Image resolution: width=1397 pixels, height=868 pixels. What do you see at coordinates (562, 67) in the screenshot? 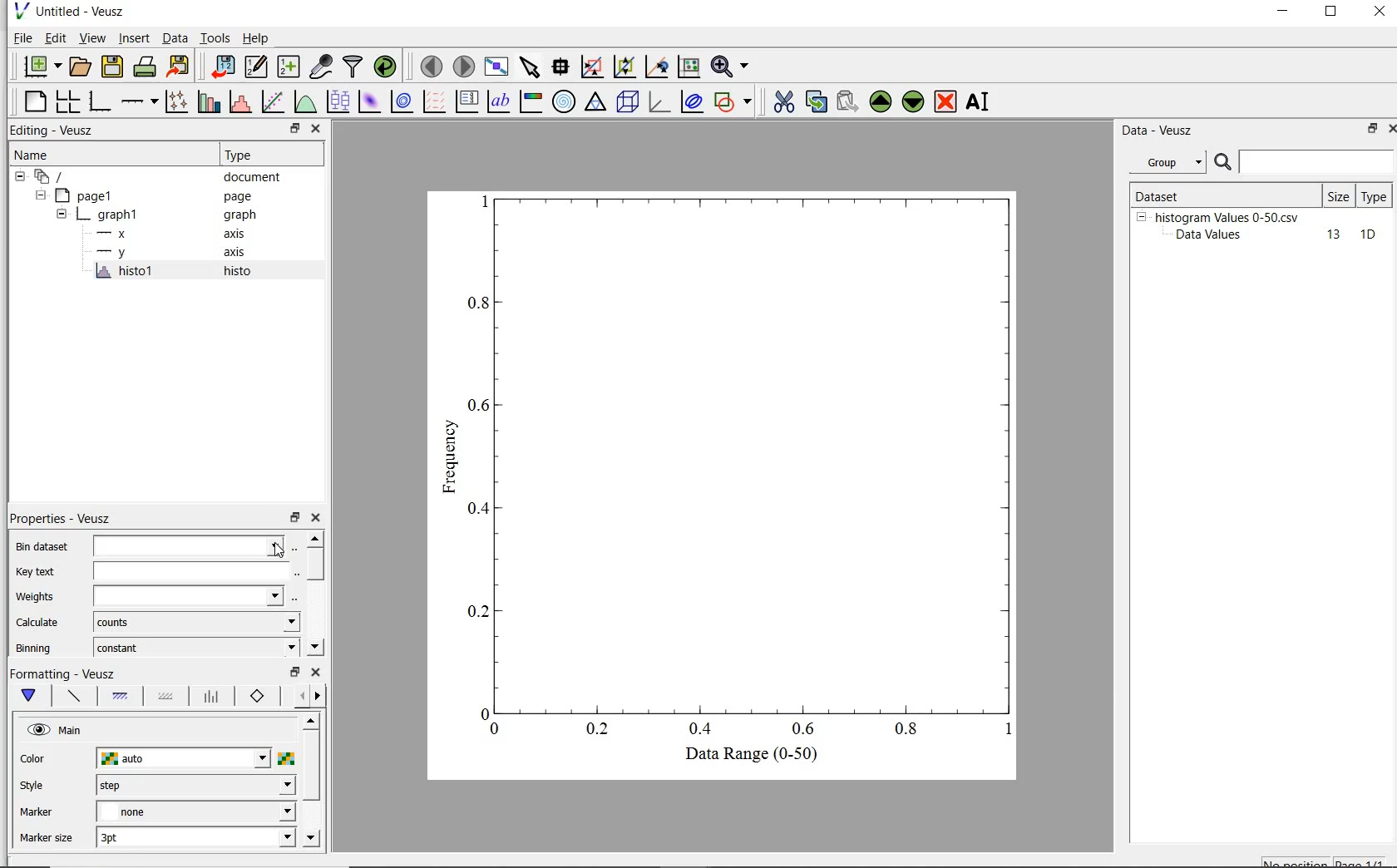
I see `read data points on the graph` at bounding box center [562, 67].